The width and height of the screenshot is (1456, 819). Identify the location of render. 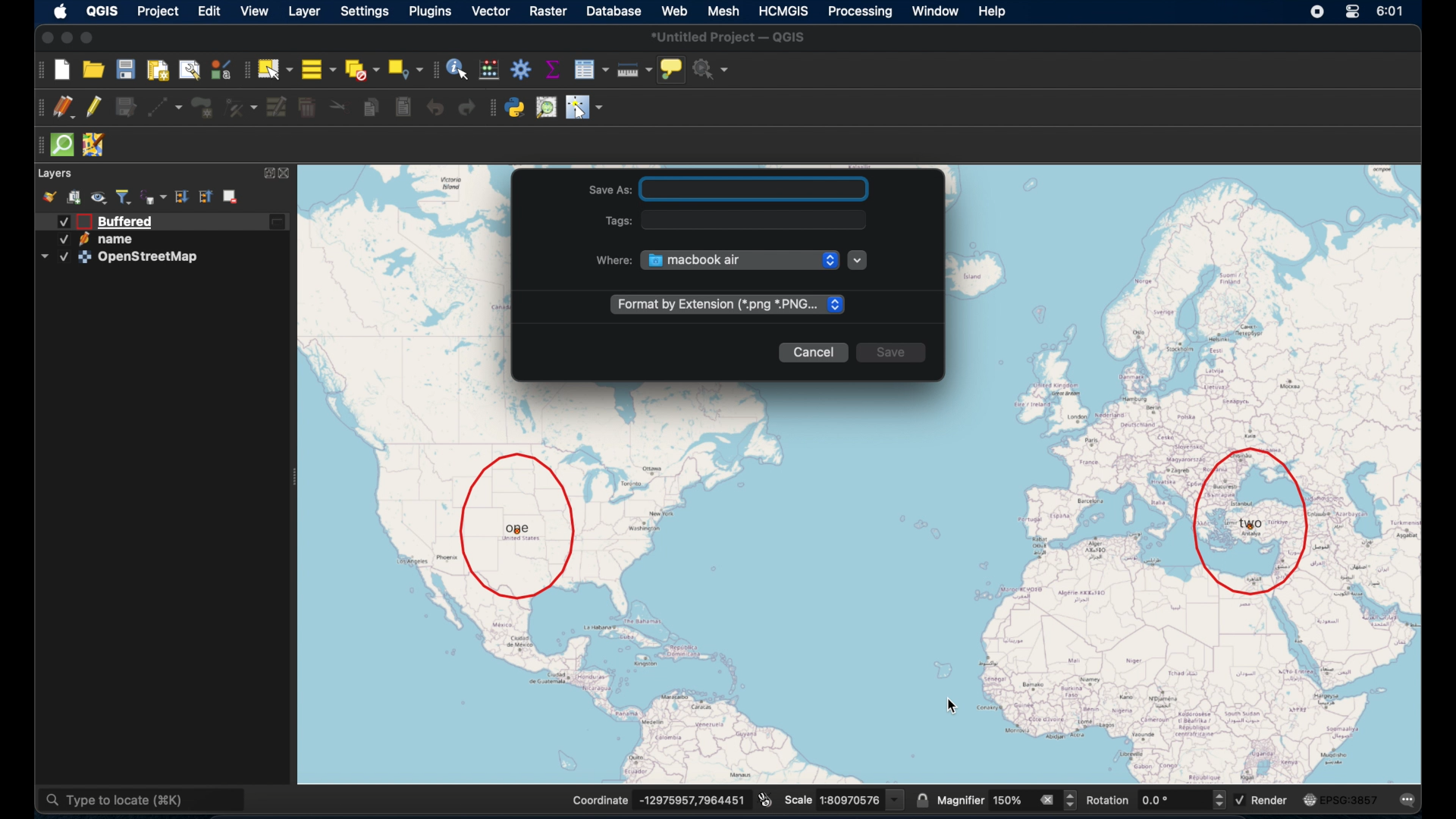
(1270, 801).